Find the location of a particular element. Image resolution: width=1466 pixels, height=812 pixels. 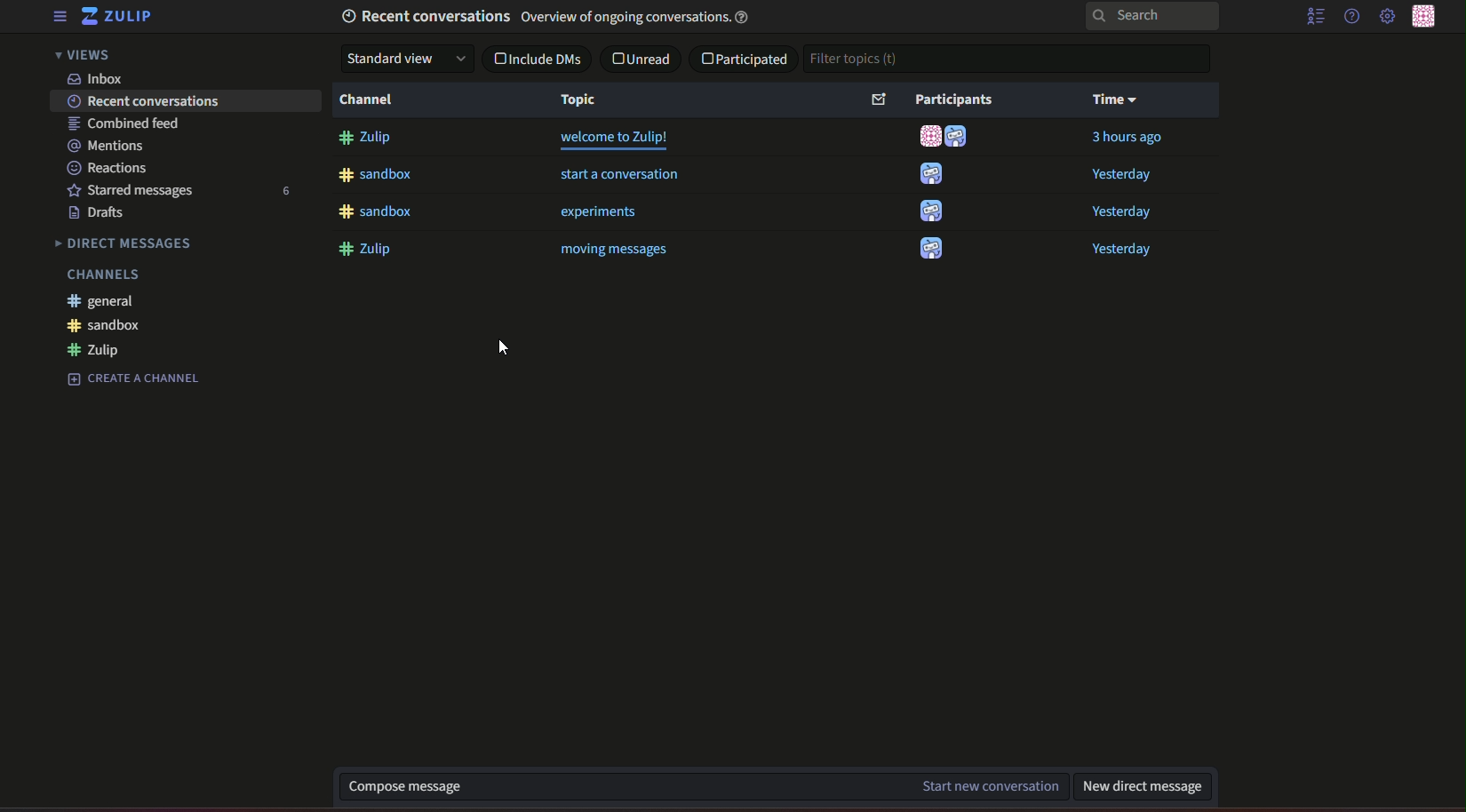

yesterday is located at coordinates (1123, 175).